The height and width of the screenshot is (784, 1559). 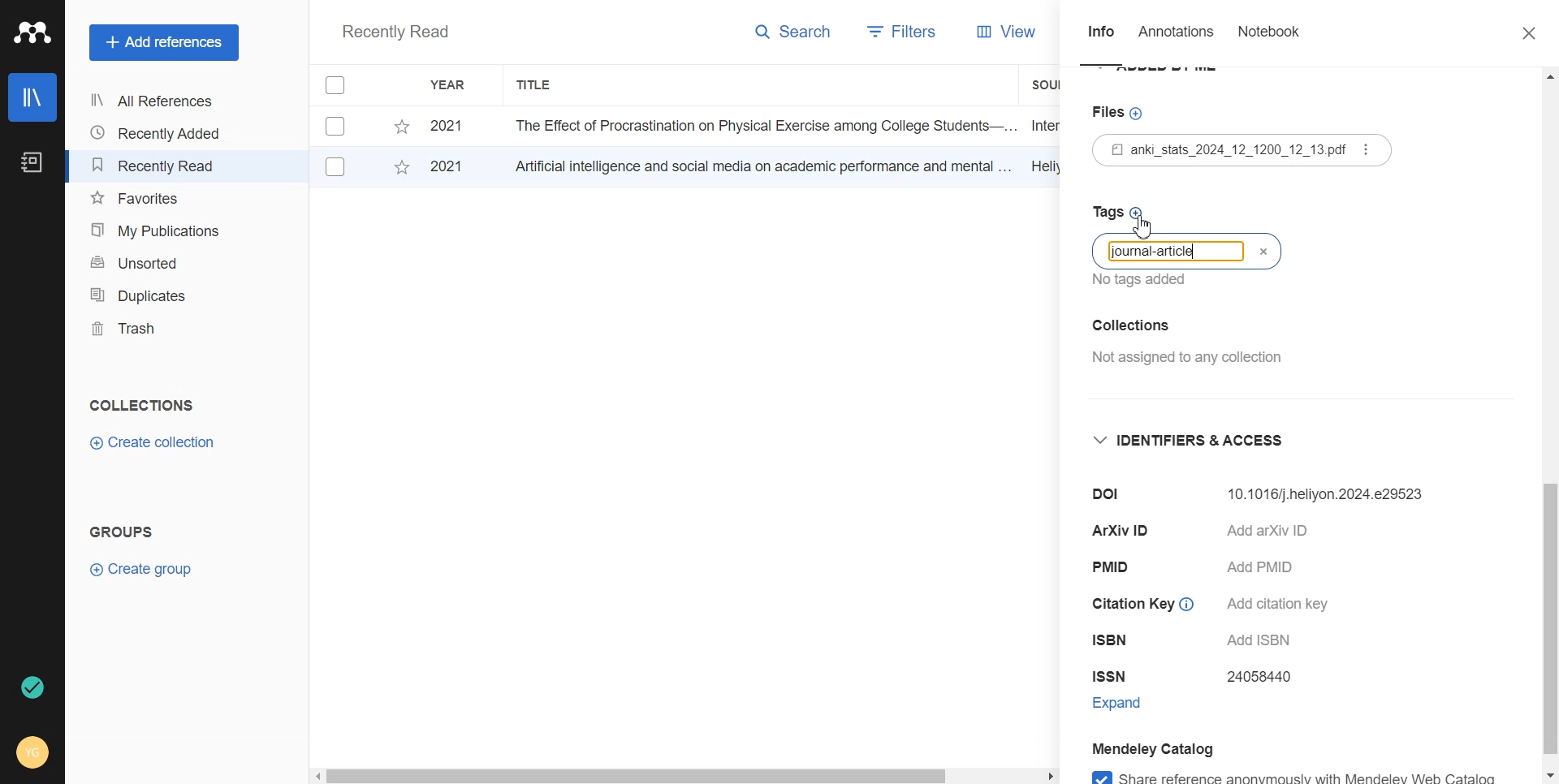 What do you see at coordinates (158, 133) in the screenshot?
I see `Recently Added` at bounding box center [158, 133].